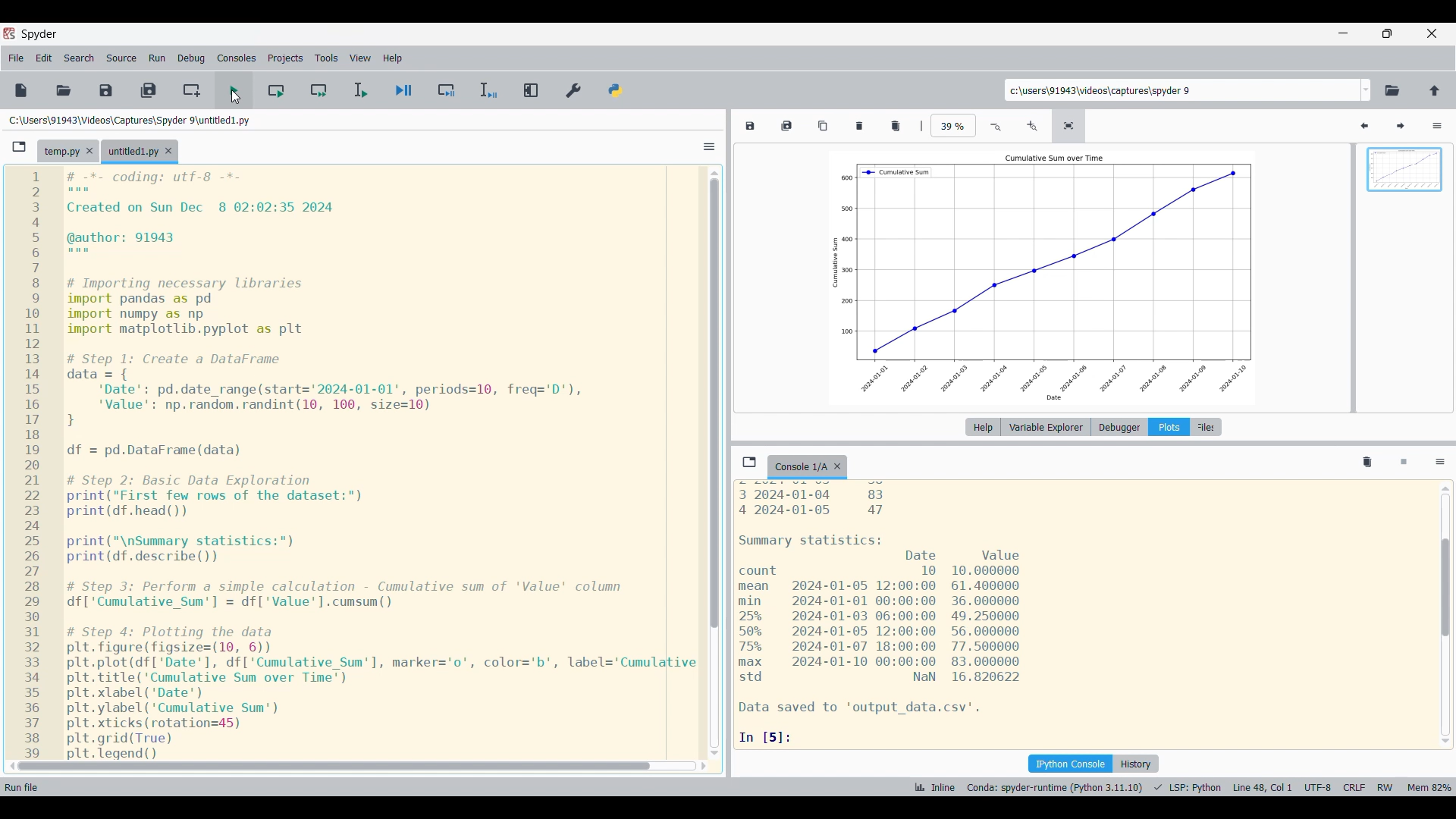 The image size is (1456, 819). Describe the element at coordinates (800, 467) in the screenshot. I see `Current tab` at that location.